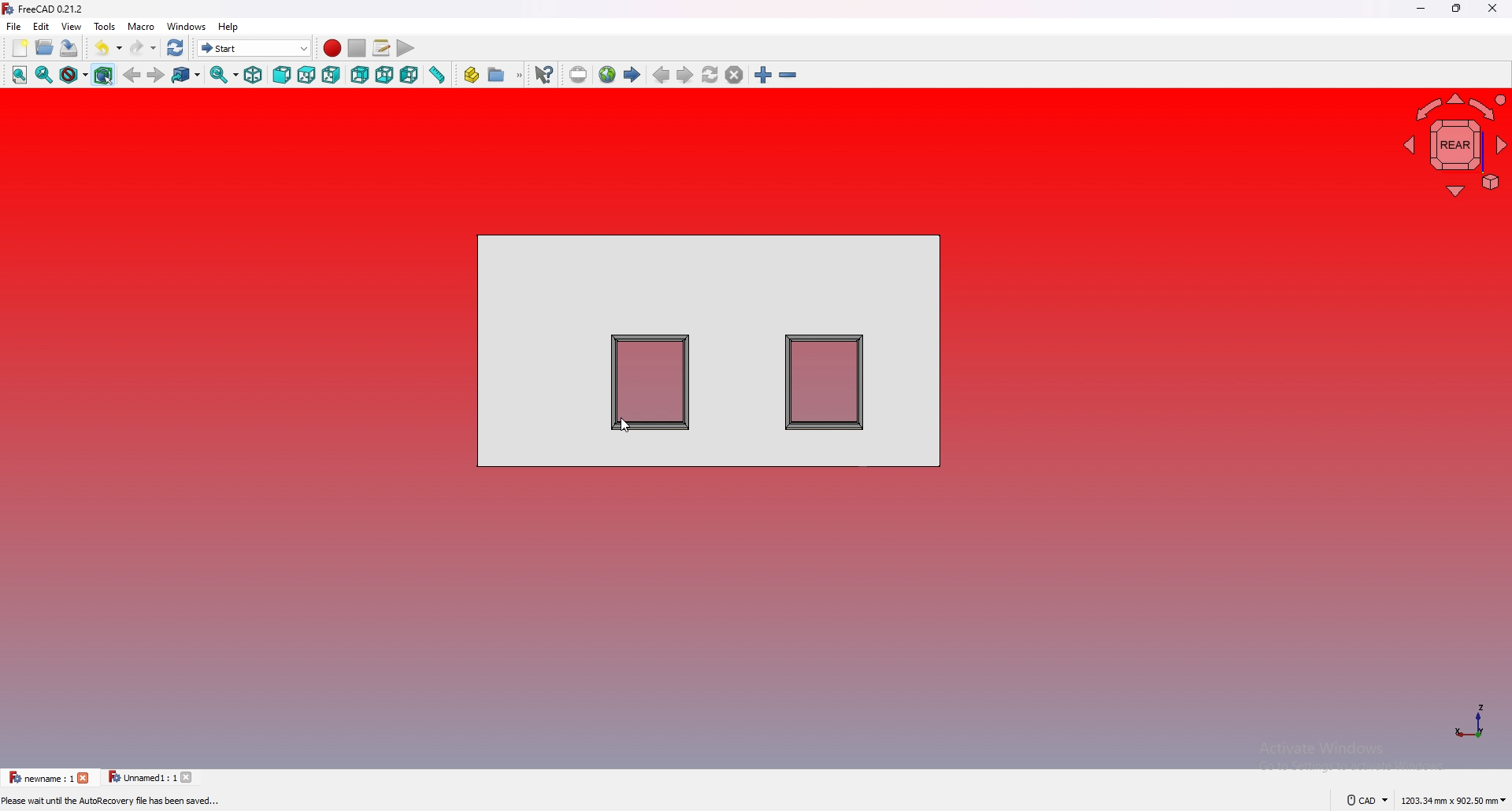 Image resolution: width=1512 pixels, height=811 pixels. I want to click on zoom in, so click(763, 75).